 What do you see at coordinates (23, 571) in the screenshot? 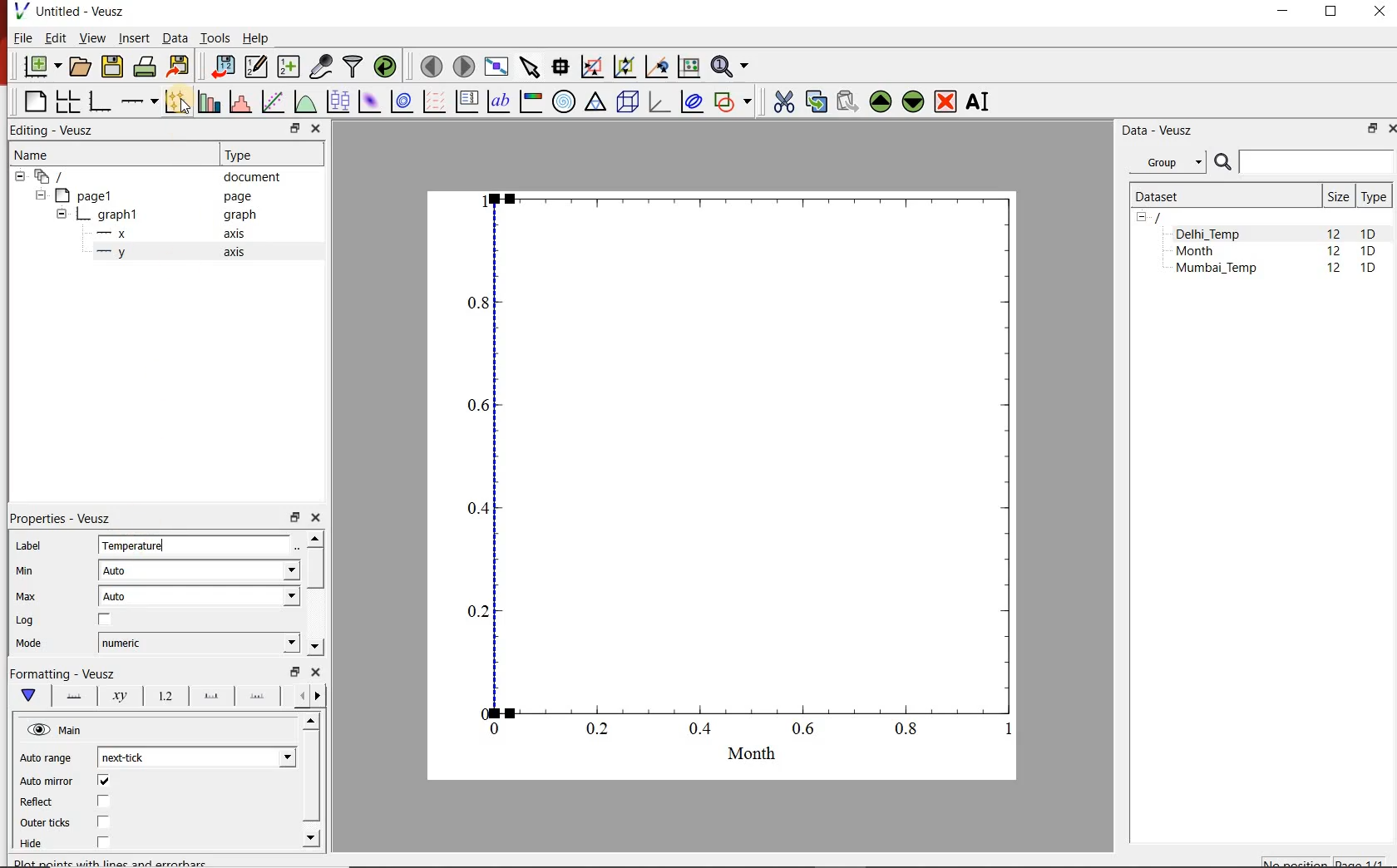
I see `Min` at bounding box center [23, 571].